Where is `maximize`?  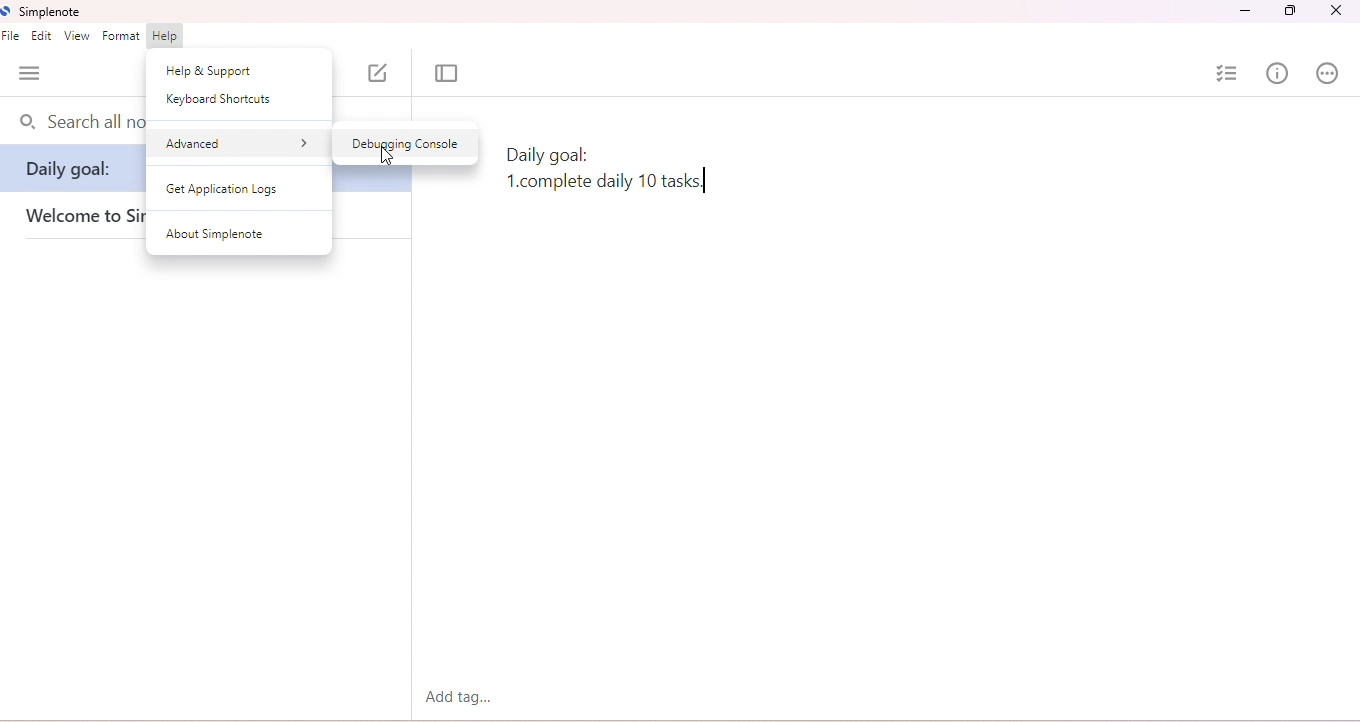
maximize is located at coordinates (1291, 13).